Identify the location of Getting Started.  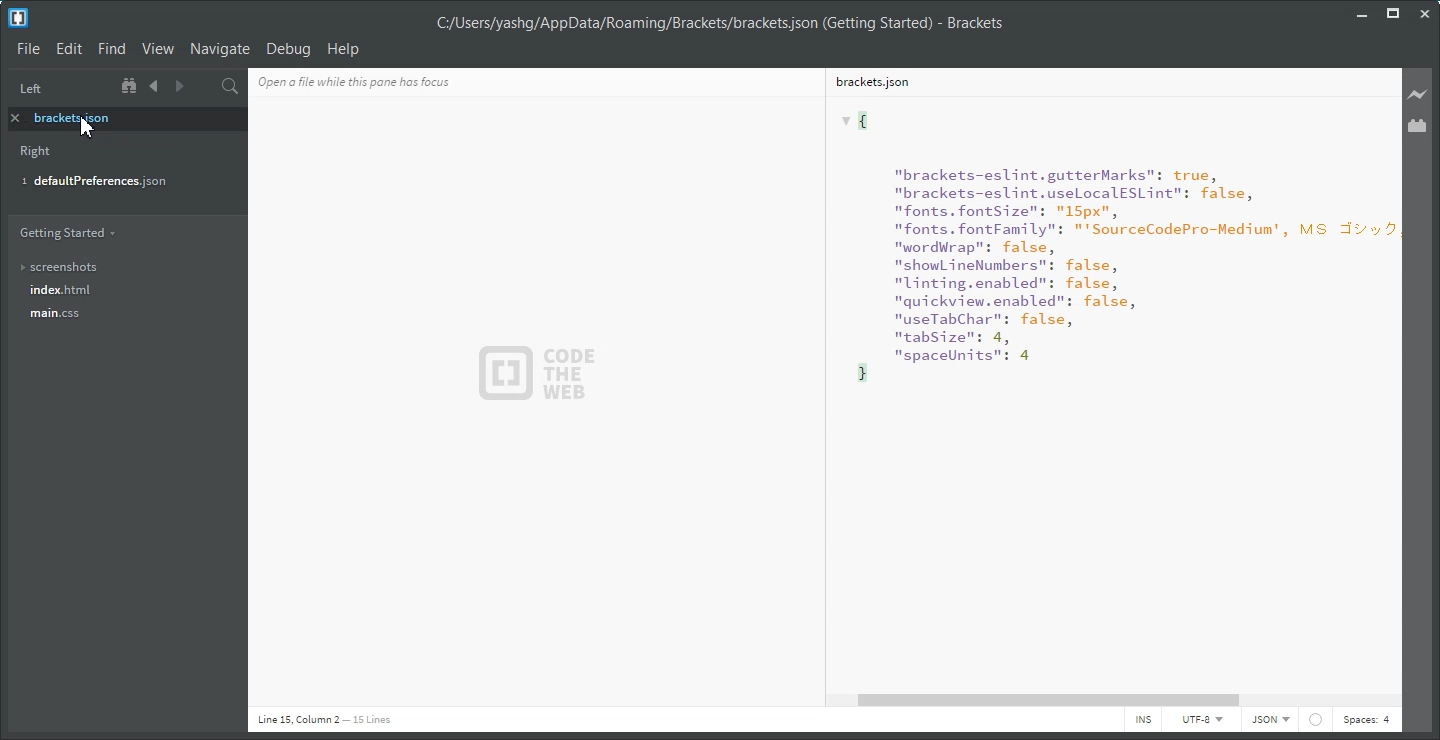
(67, 232).